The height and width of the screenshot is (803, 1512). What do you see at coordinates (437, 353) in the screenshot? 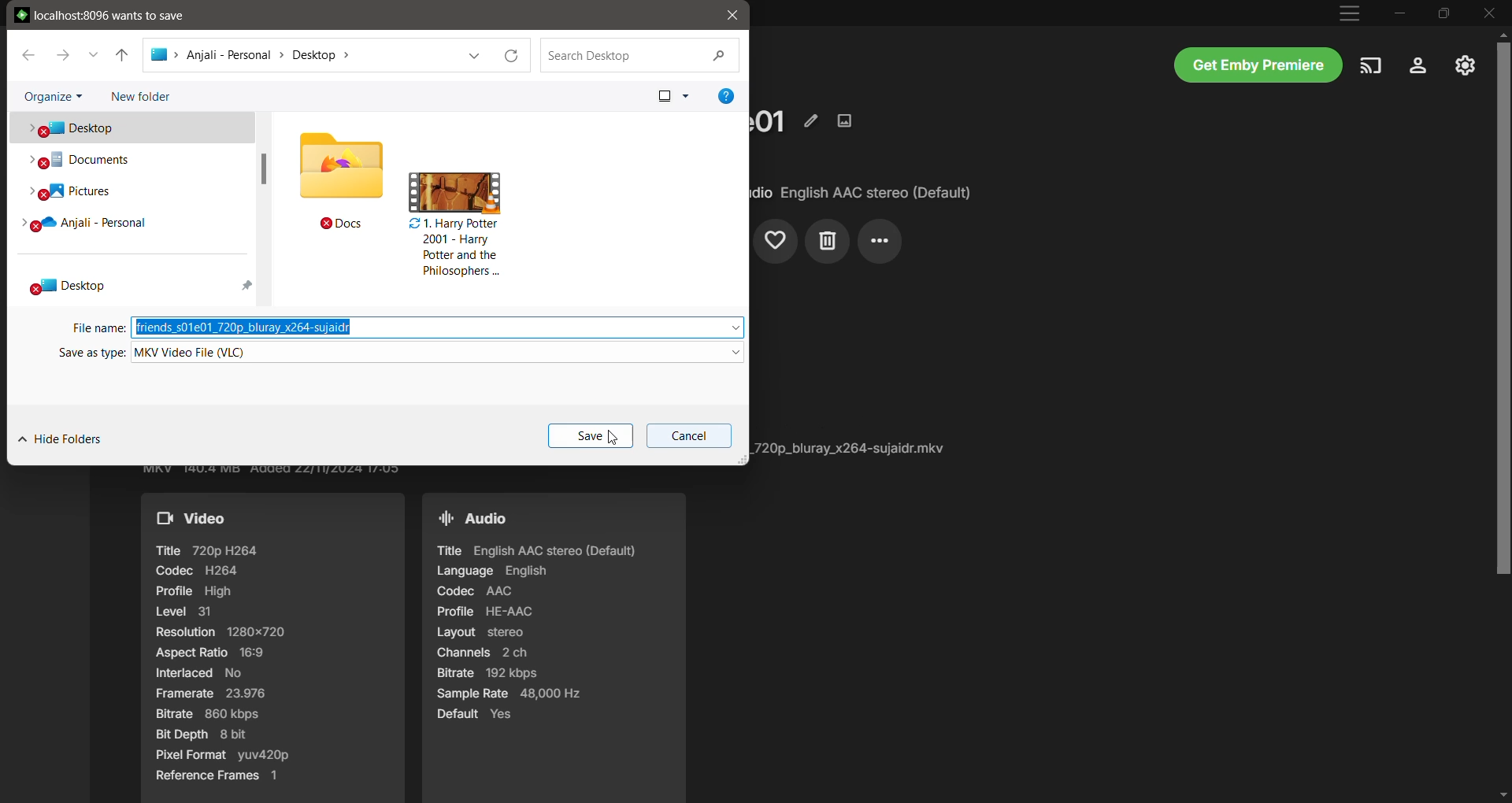
I see `Save File Type` at bounding box center [437, 353].